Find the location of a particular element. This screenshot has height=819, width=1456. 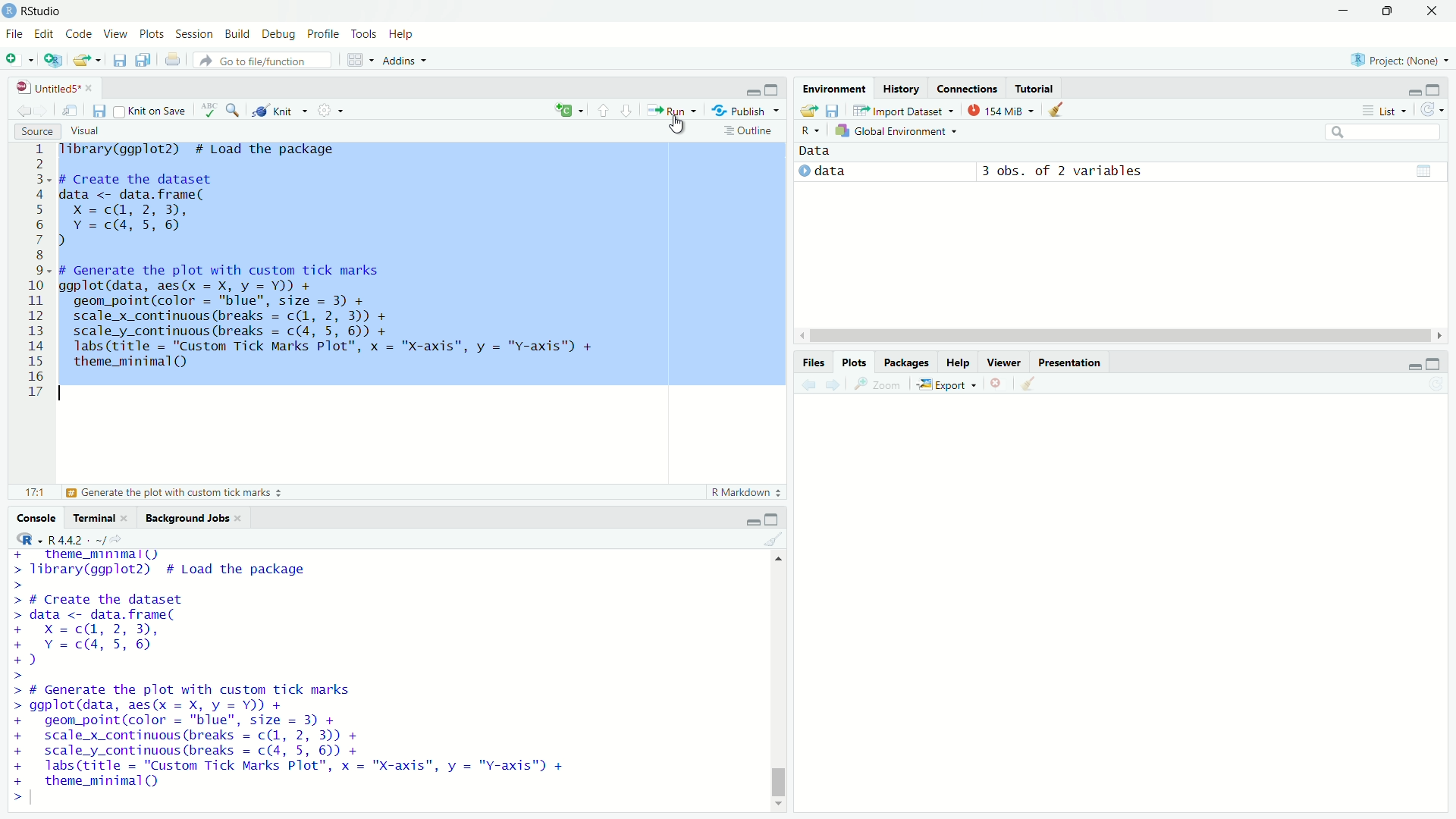

move left is located at coordinates (801, 335).